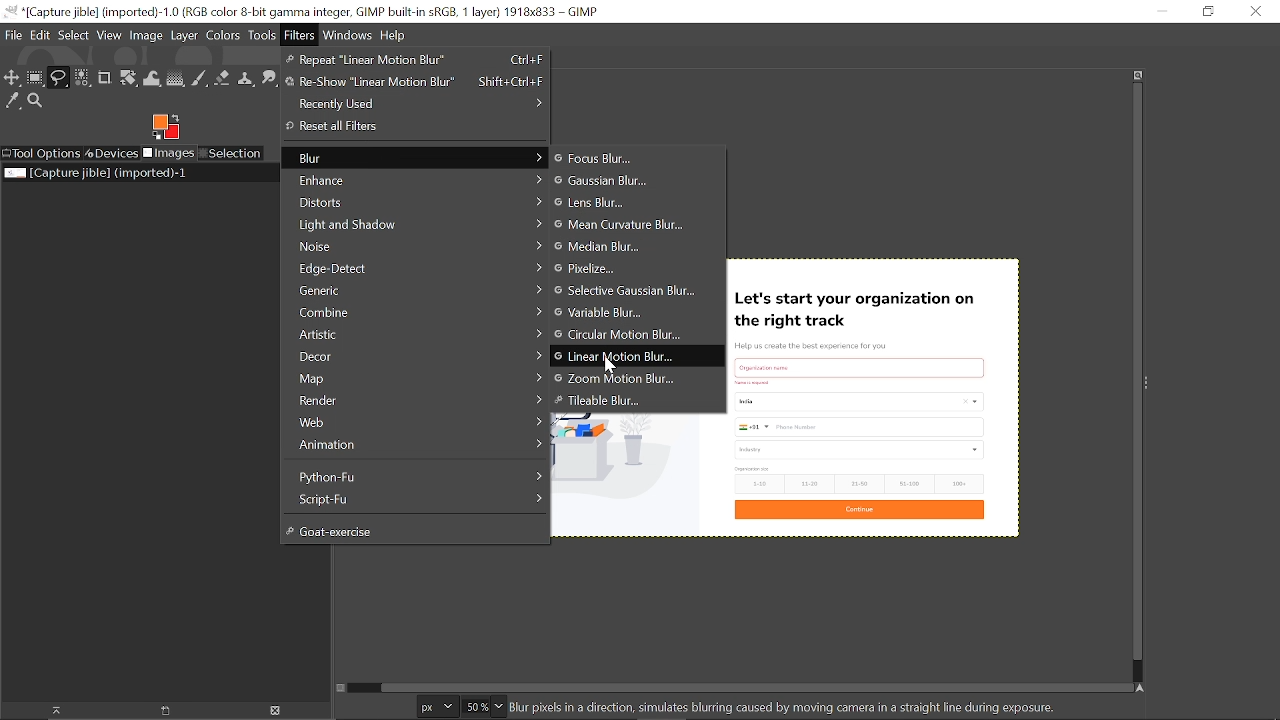 This screenshot has width=1280, height=720. Describe the element at coordinates (339, 688) in the screenshot. I see `Toggle quick mask on/off` at that location.